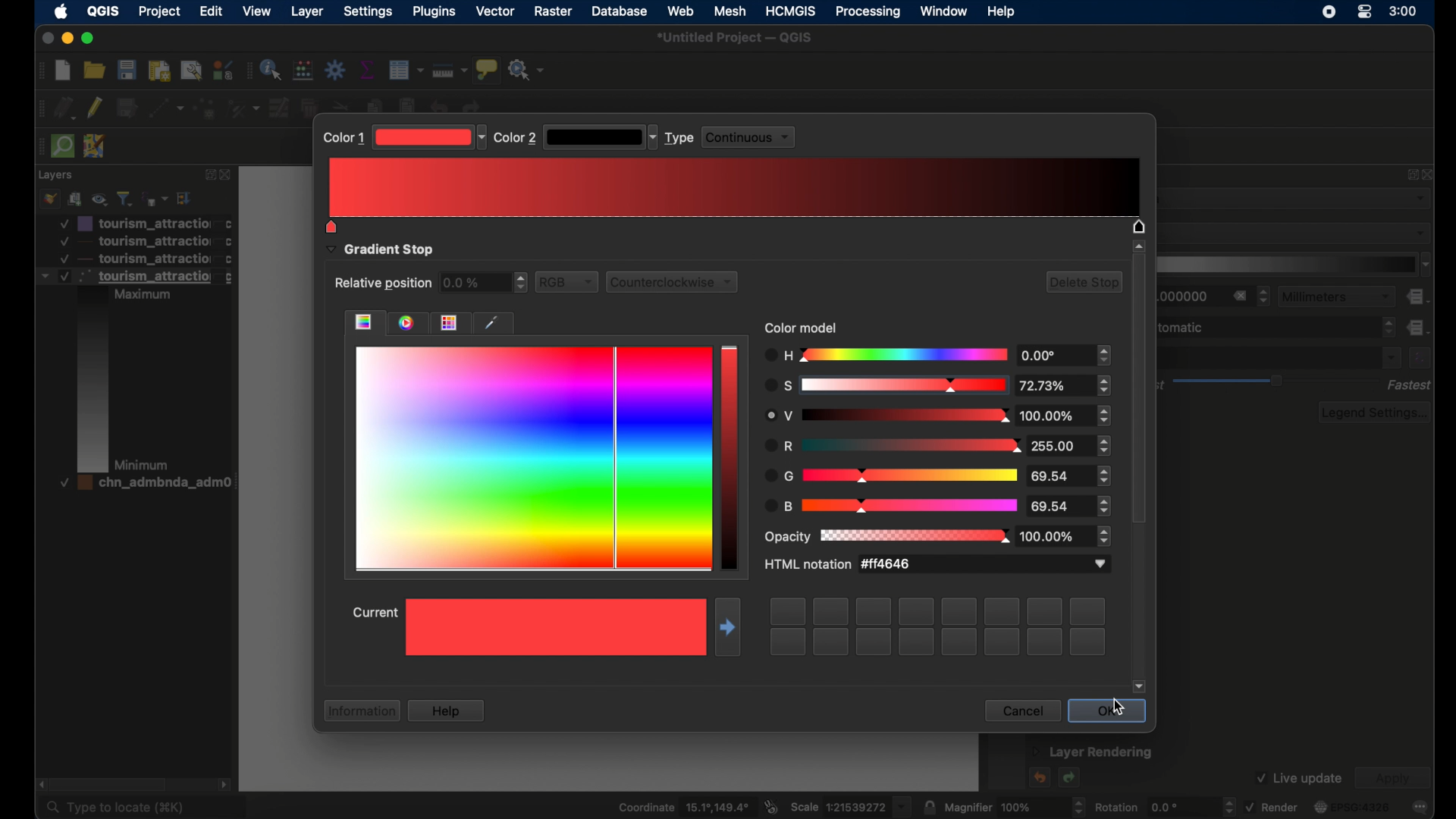 The image size is (1456, 819). I want to click on view, so click(259, 12).